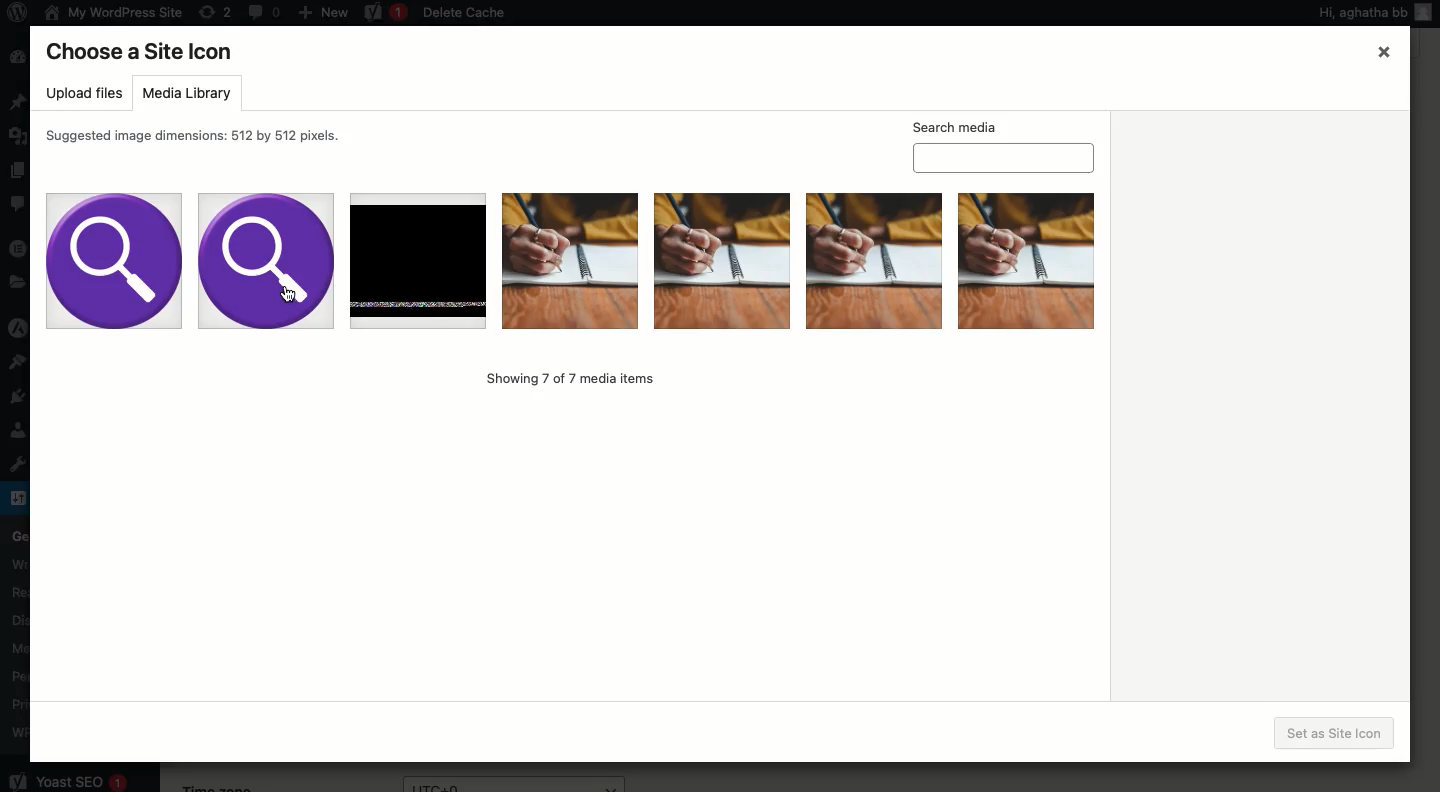 The width and height of the screenshot is (1440, 792). Describe the element at coordinates (200, 137) in the screenshot. I see `Suggested image dimensions` at that location.